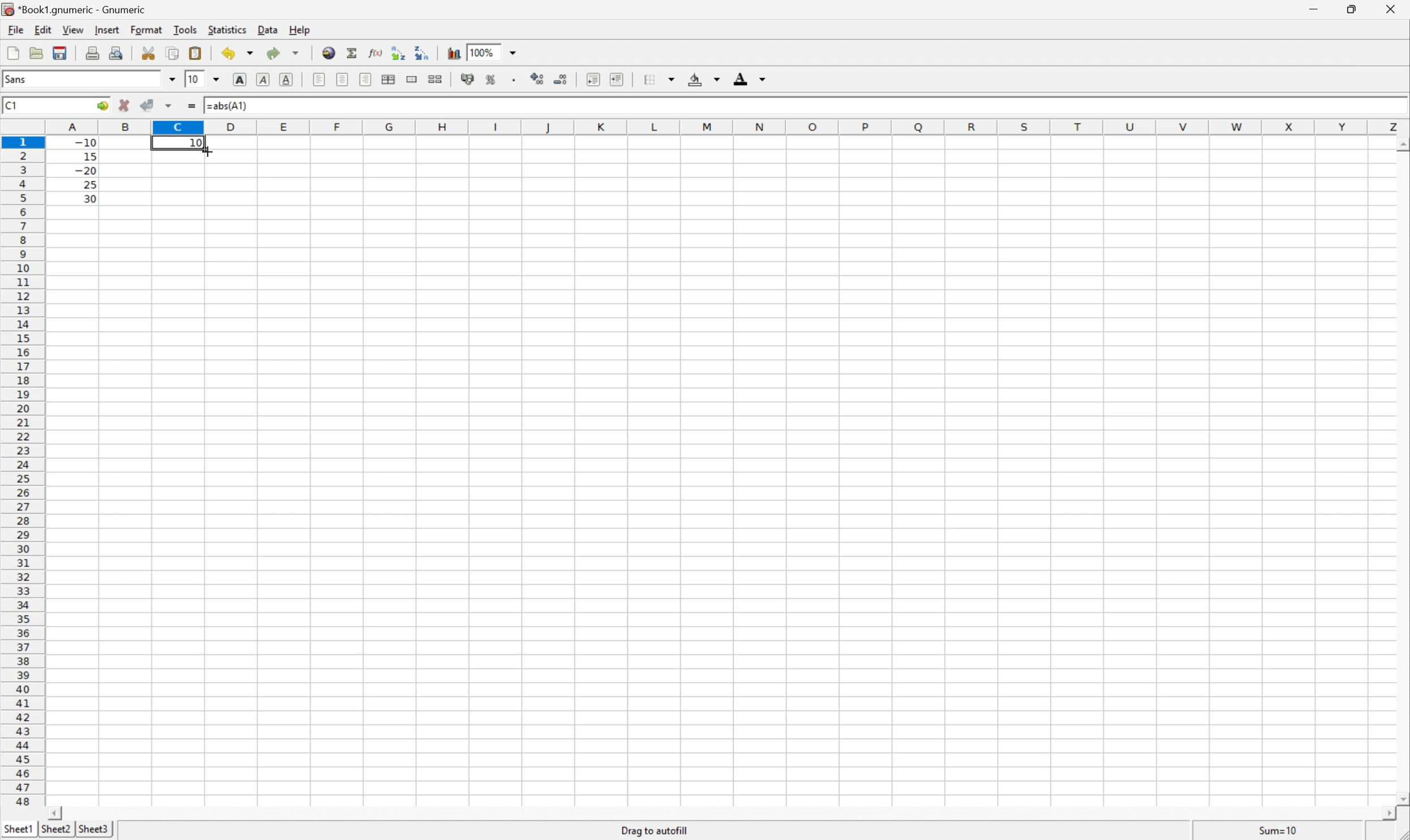  What do you see at coordinates (467, 80) in the screenshot?
I see `Format the selection as accounting` at bounding box center [467, 80].